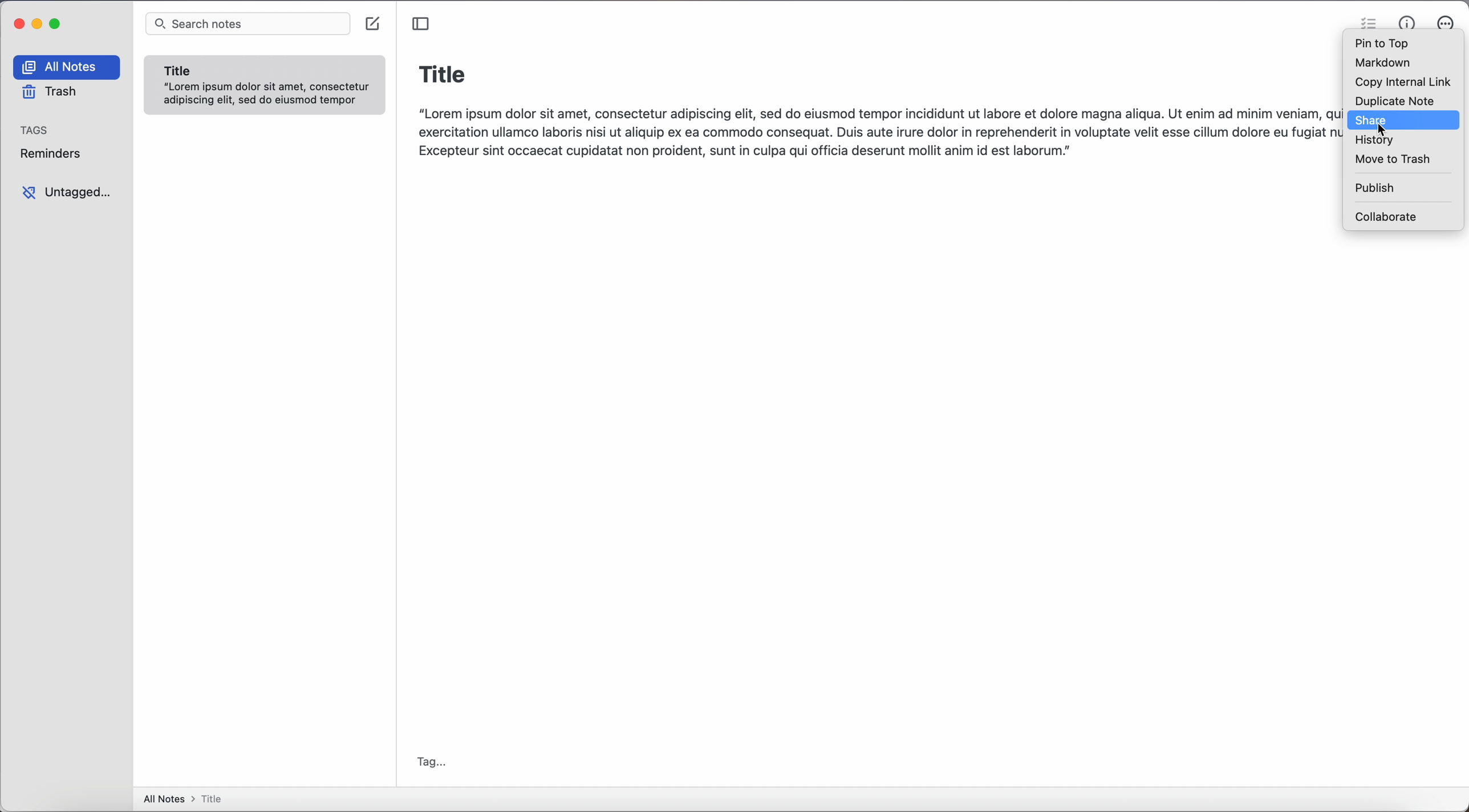  What do you see at coordinates (67, 193) in the screenshot?
I see `untagged` at bounding box center [67, 193].